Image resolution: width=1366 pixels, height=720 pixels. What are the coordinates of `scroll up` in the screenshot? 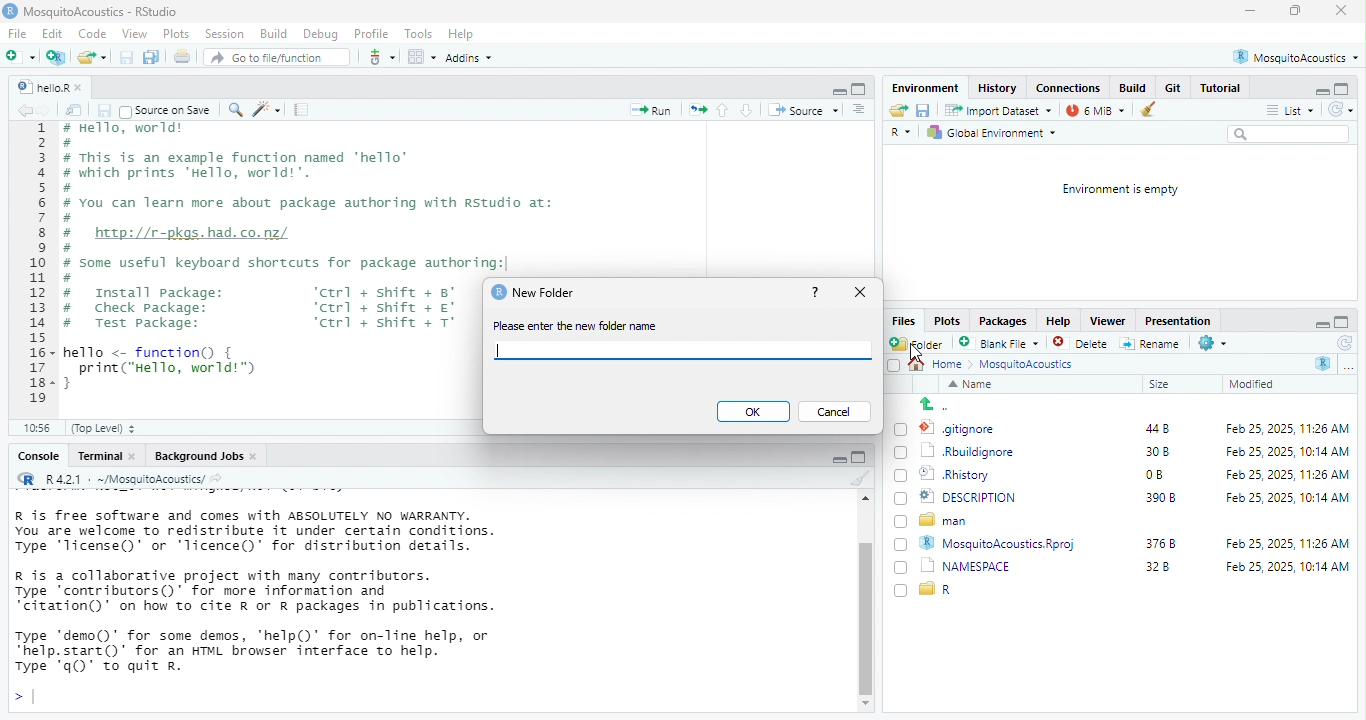 It's located at (863, 500).